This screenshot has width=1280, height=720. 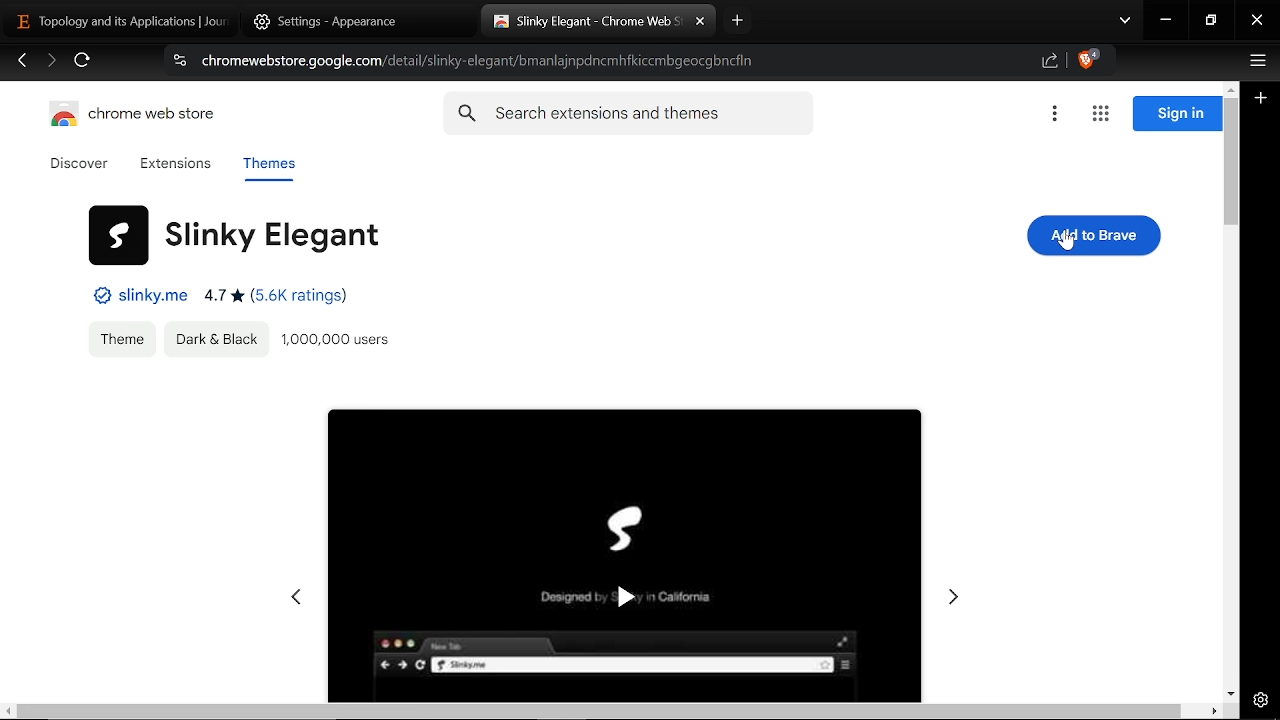 What do you see at coordinates (1177, 114) in the screenshot?
I see `Sign in` at bounding box center [1177, 114].